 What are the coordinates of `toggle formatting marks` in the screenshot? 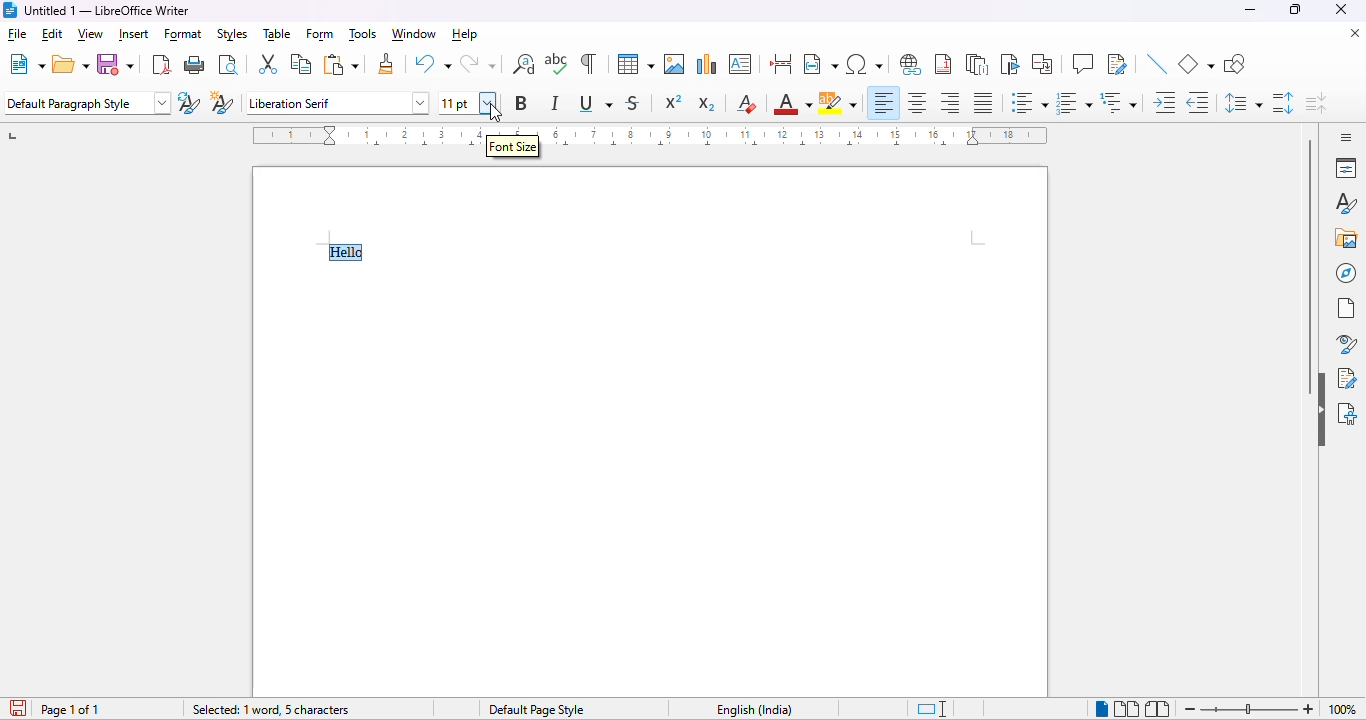 It's located at (589, 63).